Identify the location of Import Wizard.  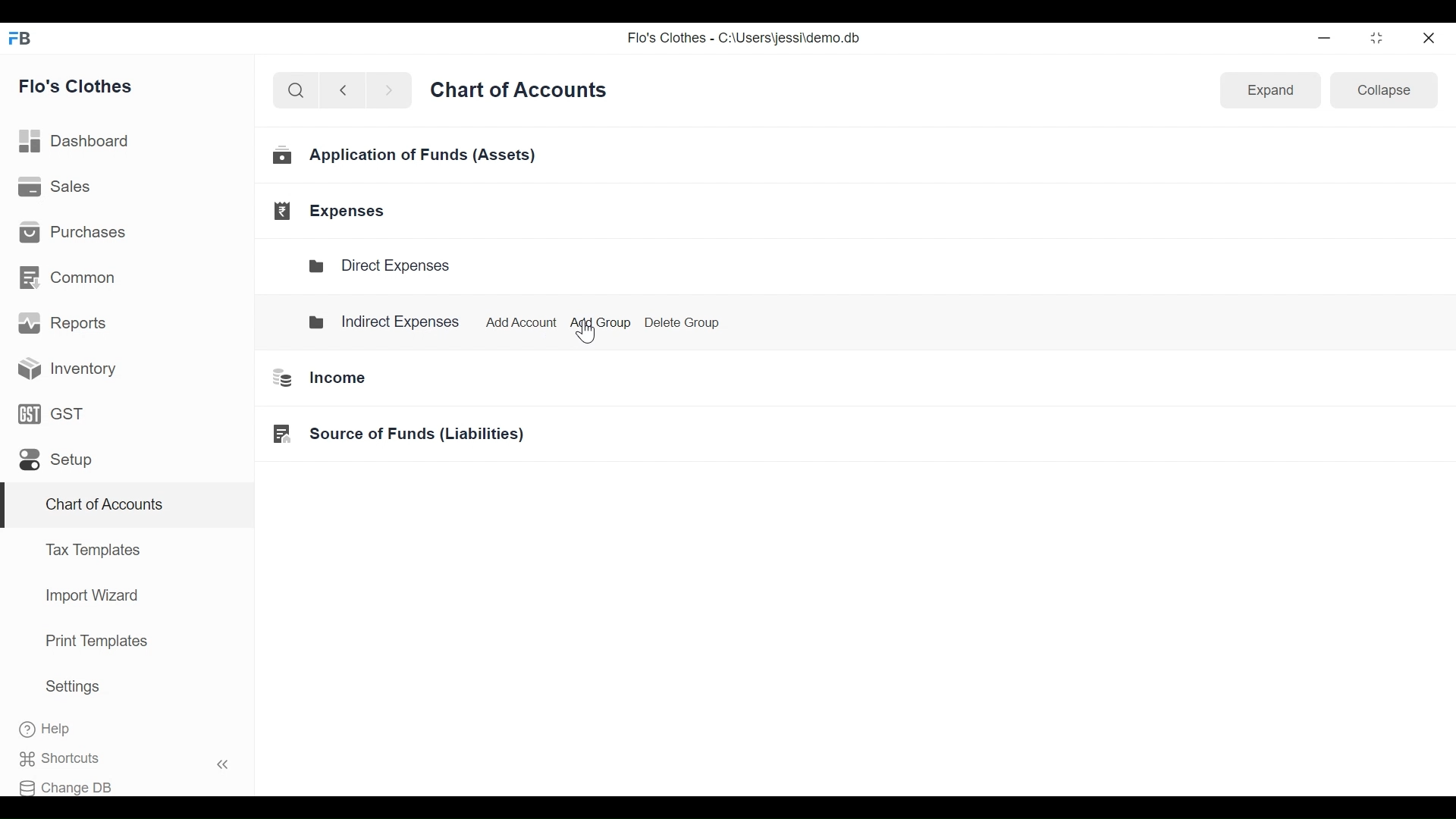
(87, 598).